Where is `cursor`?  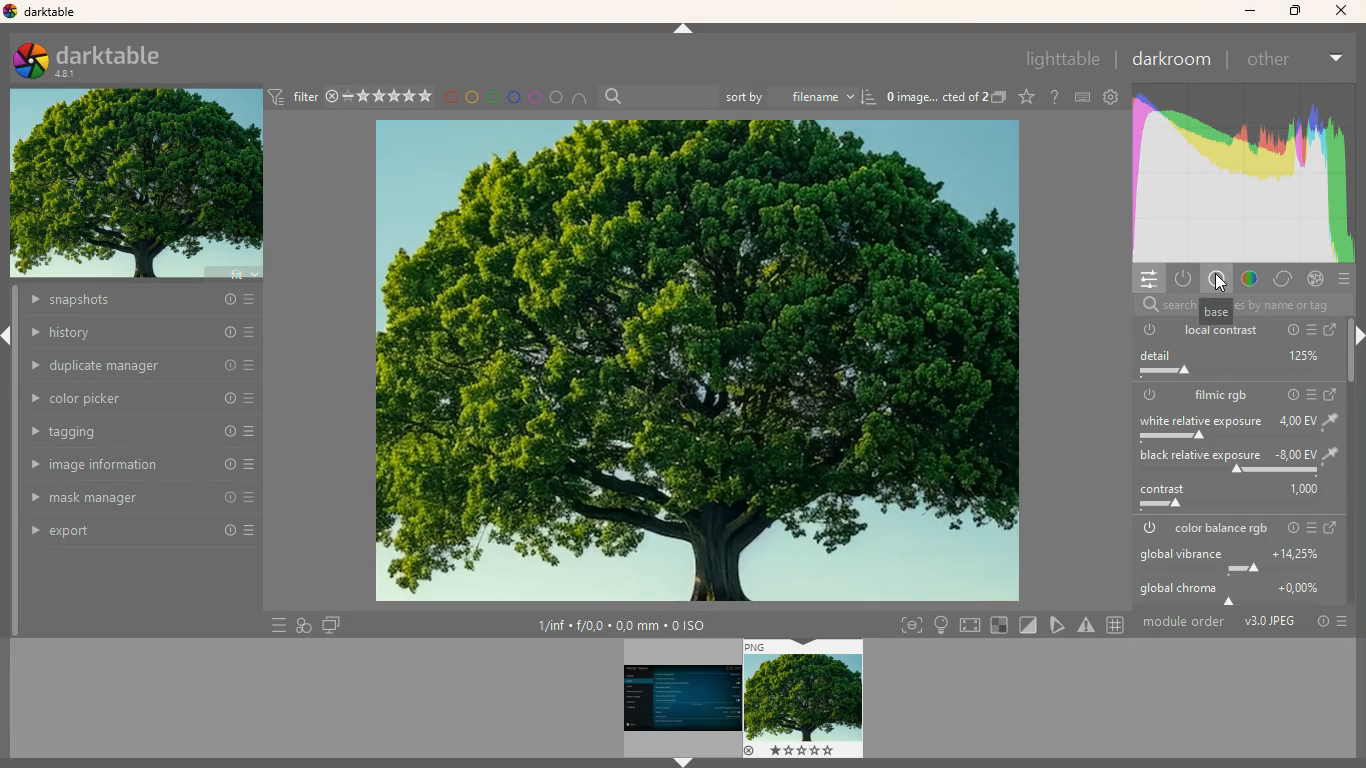 cursor is located at coordinates (1221, 283).